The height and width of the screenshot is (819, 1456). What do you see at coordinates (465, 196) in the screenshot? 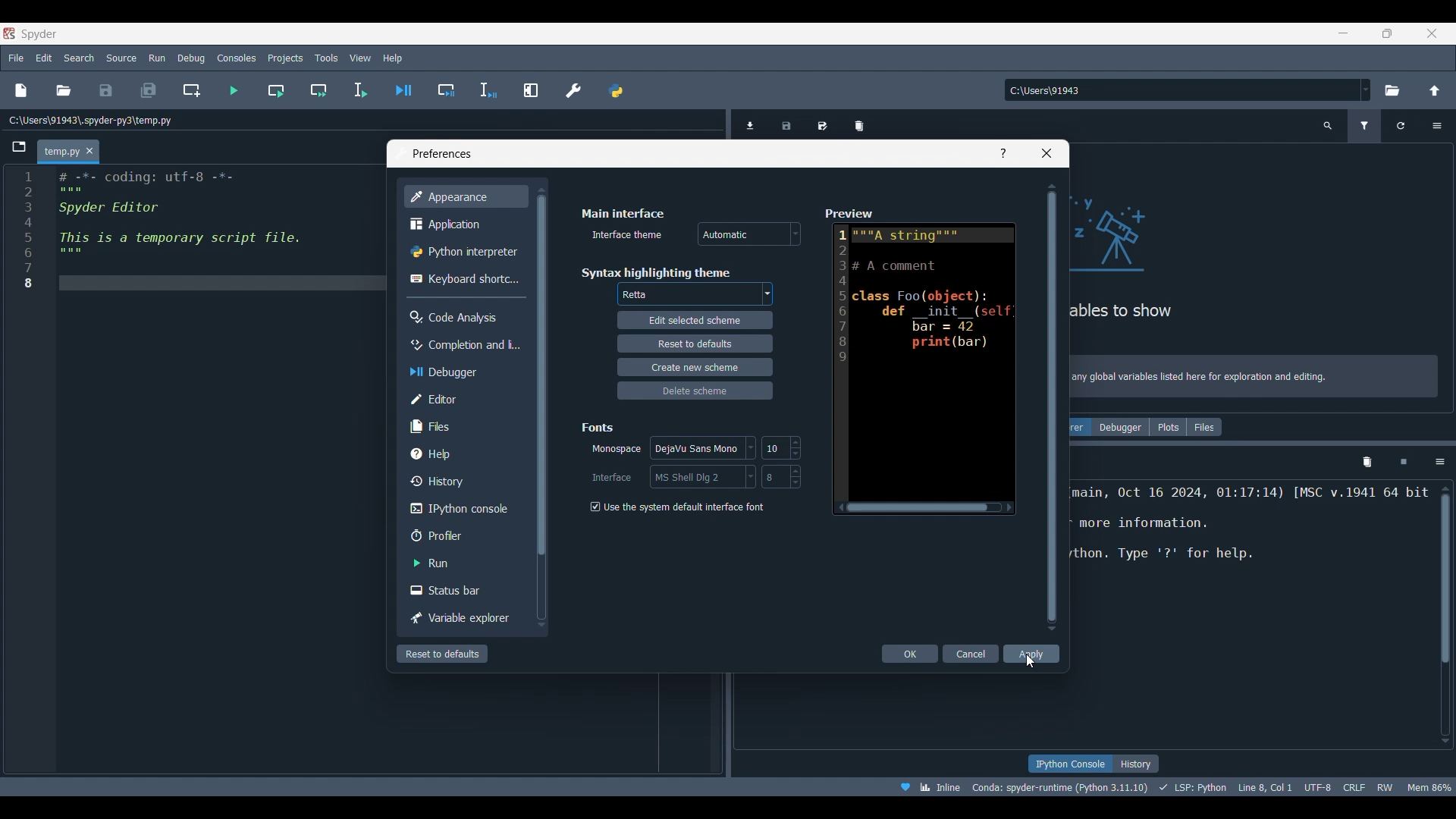
I see `Appearance, current selection highlighted` at bounding box center [465, 196].